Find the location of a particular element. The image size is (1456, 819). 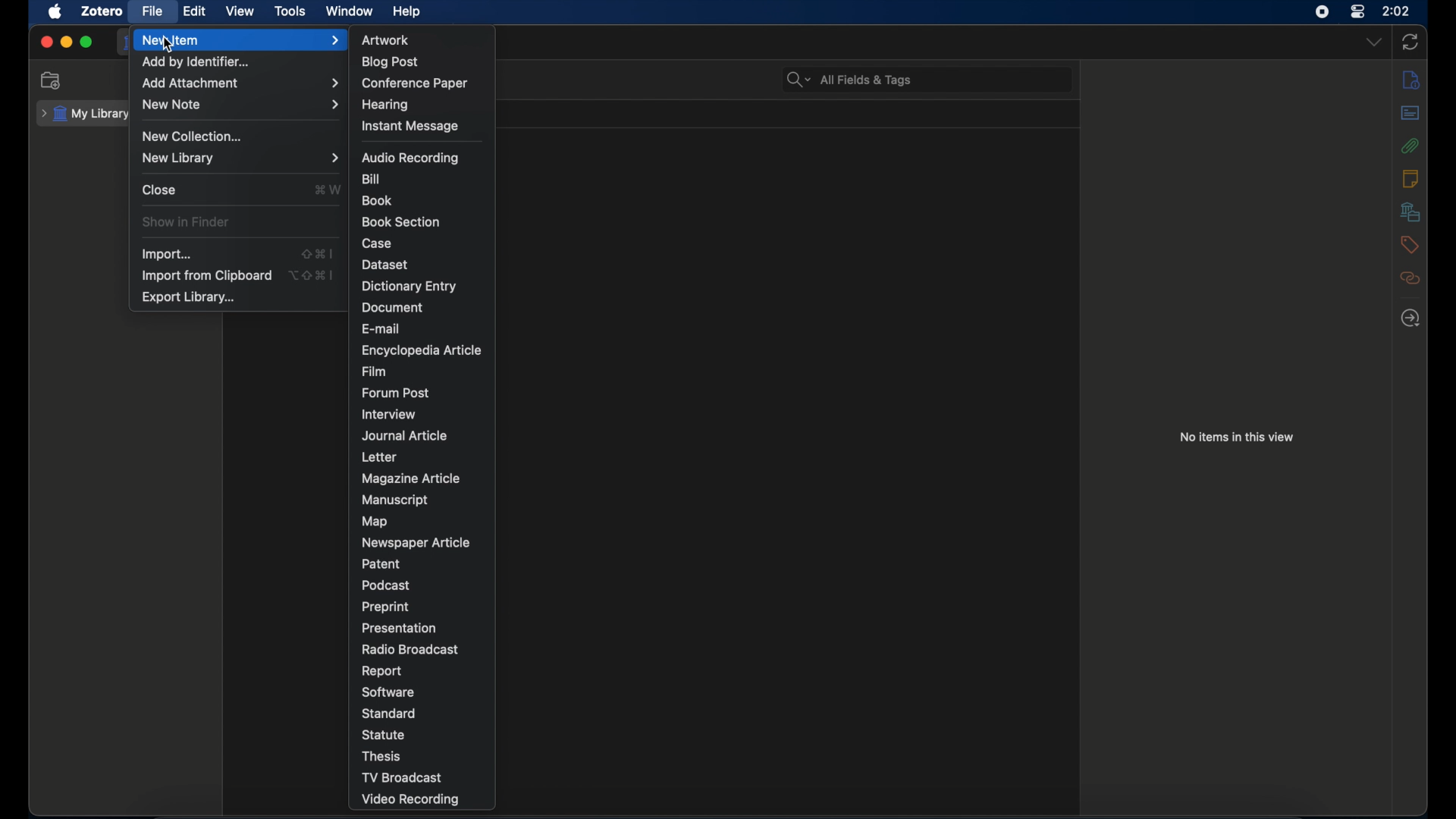

close is located at coordinates (45, 40).